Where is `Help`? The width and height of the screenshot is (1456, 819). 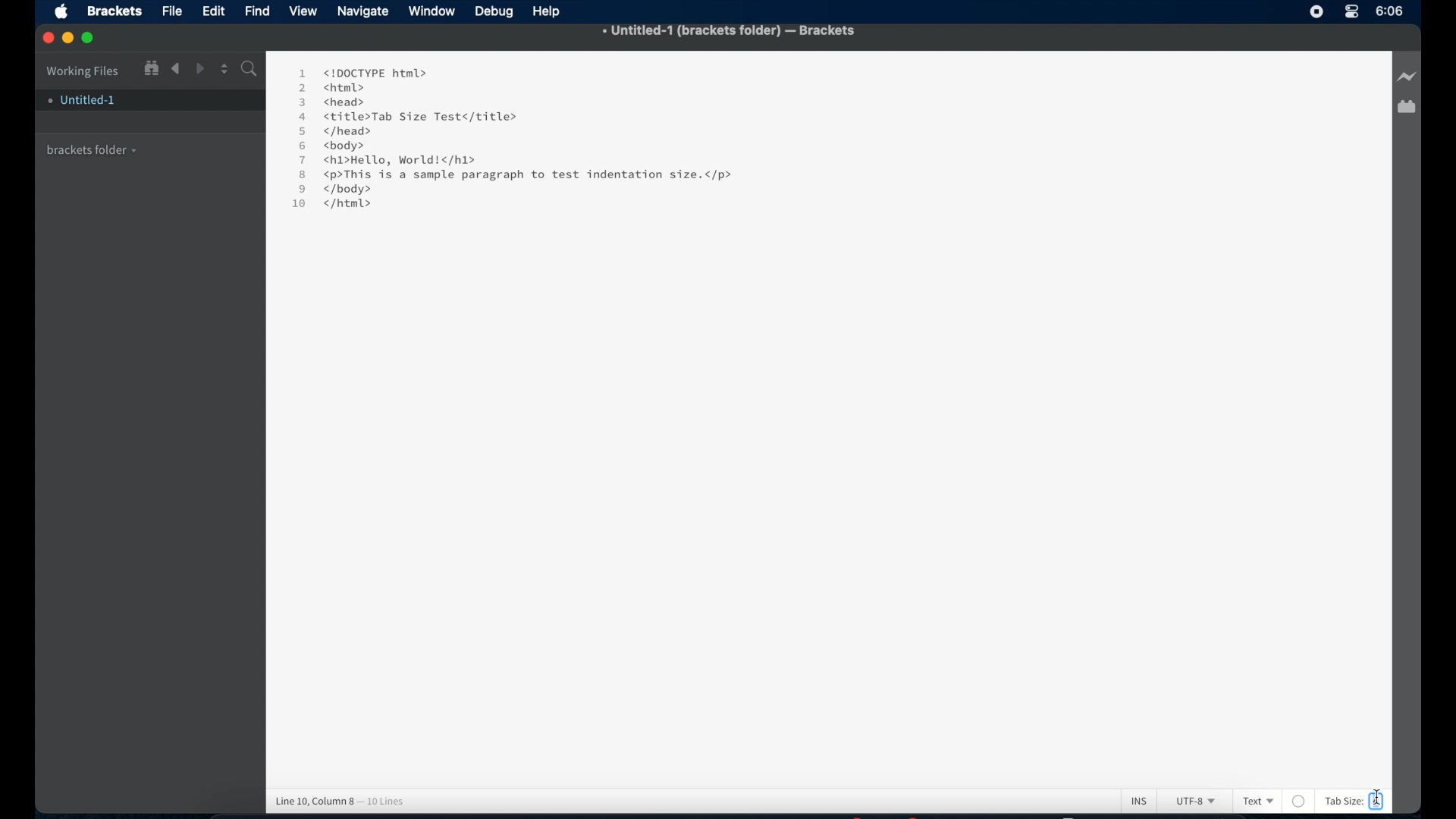
Help is located at coordinates (550, 11).